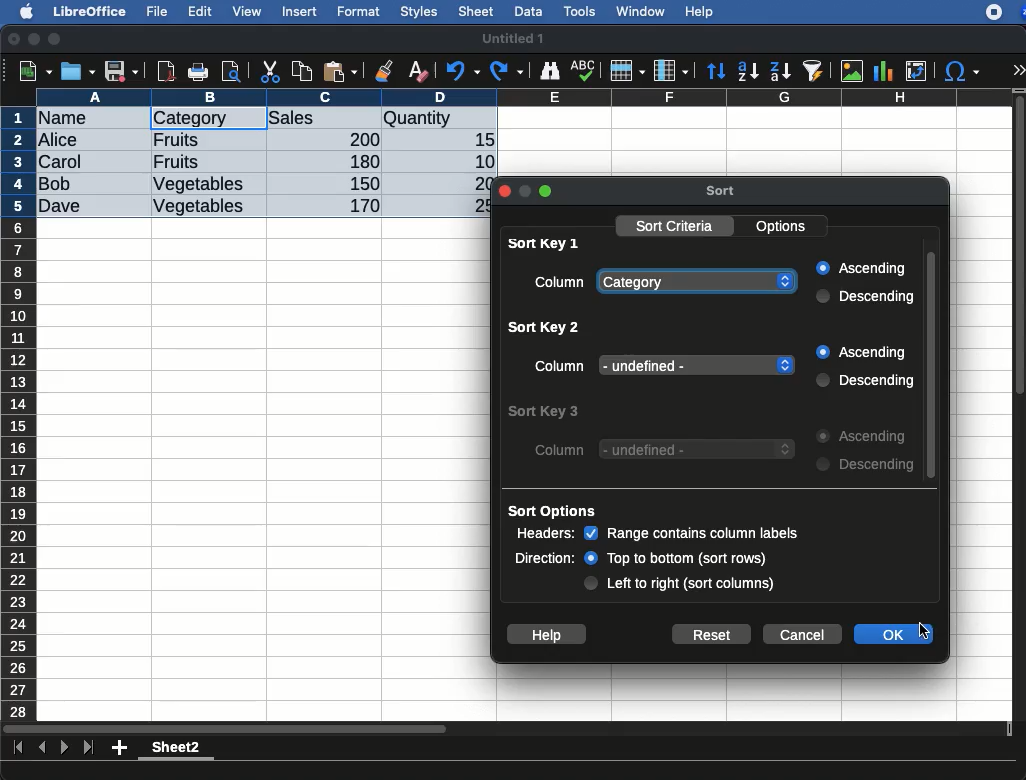 Image resolution: width=1026 pixels, height=780 pixels. What do you see at coordinates (154, 12) in the screenshot?
I see `file` at bounding box center [154, 12].